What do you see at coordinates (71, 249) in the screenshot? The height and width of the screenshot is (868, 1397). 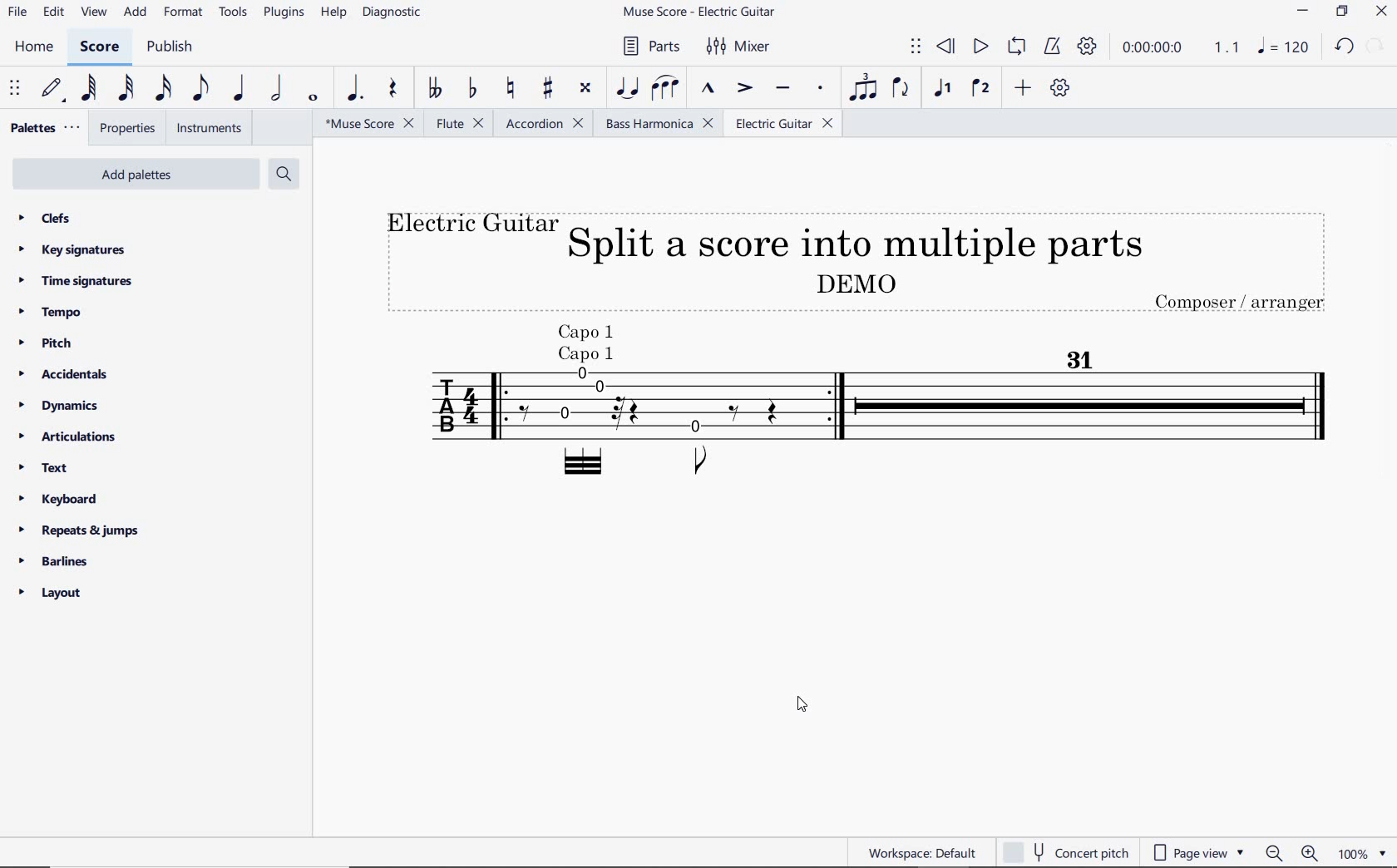 I see `key signatures` at bounding box center [71, 249].